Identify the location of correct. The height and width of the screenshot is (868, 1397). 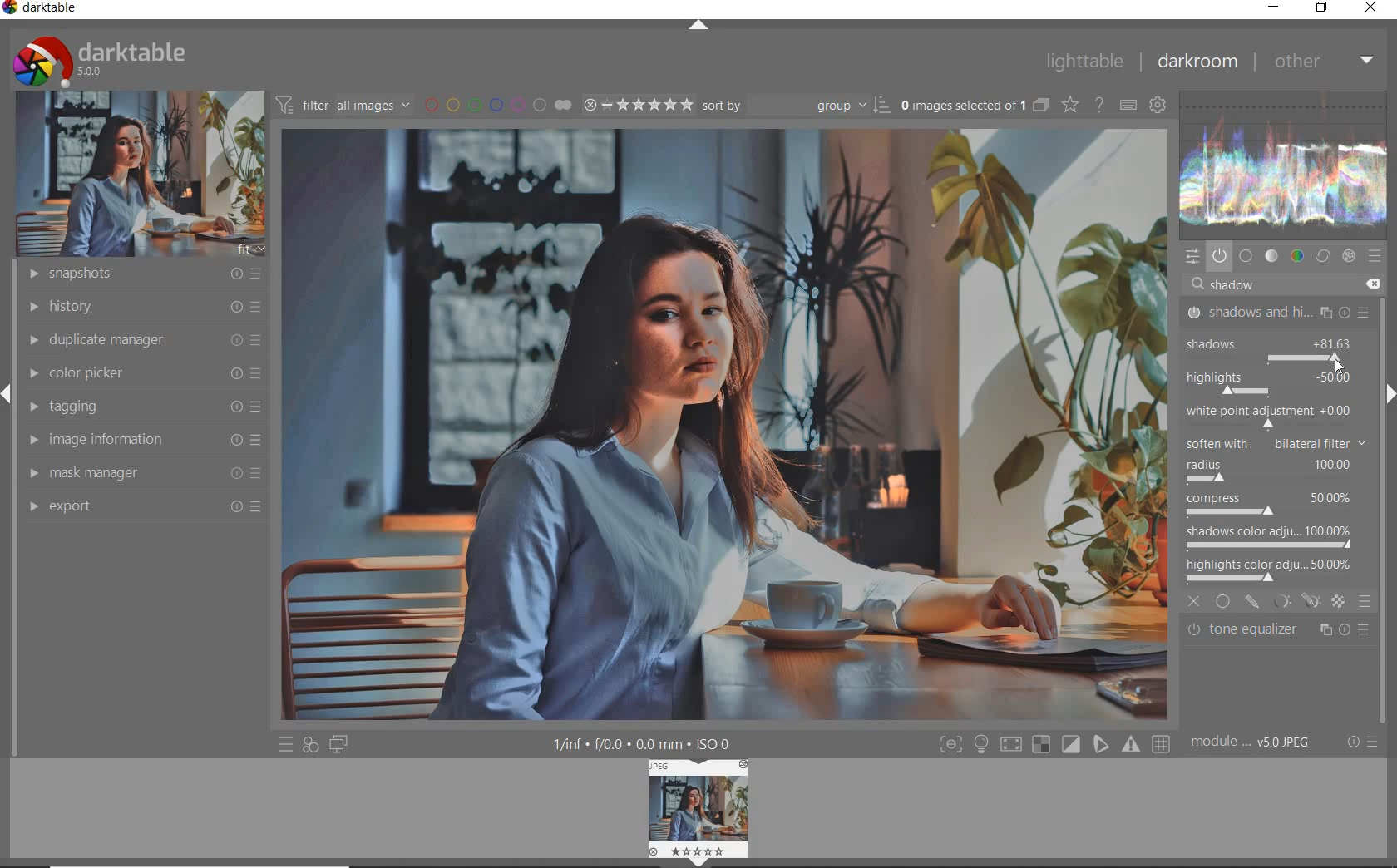
(1322, 255).